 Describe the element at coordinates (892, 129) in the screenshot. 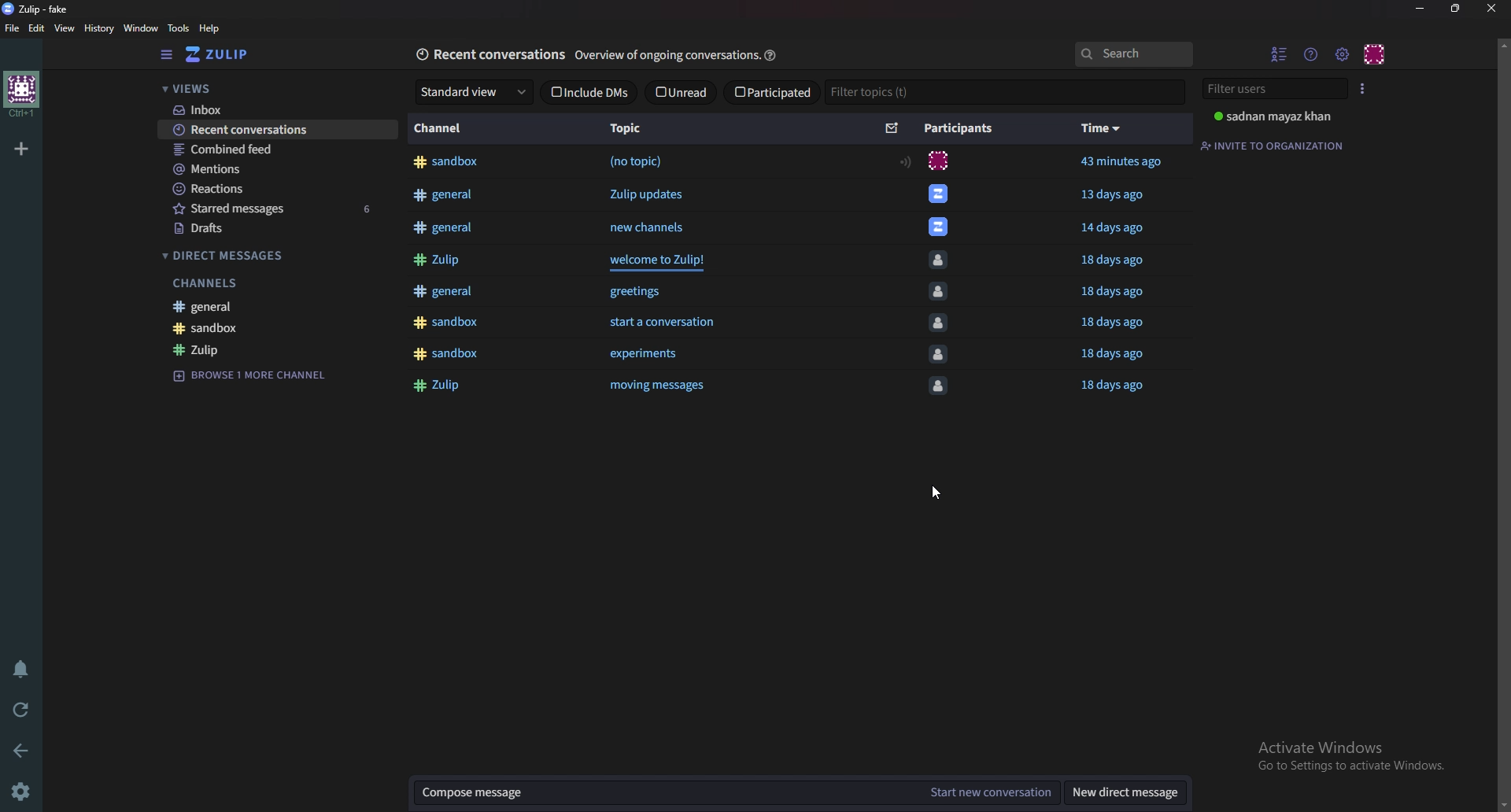

I see `Sort by unread message count` at that location.